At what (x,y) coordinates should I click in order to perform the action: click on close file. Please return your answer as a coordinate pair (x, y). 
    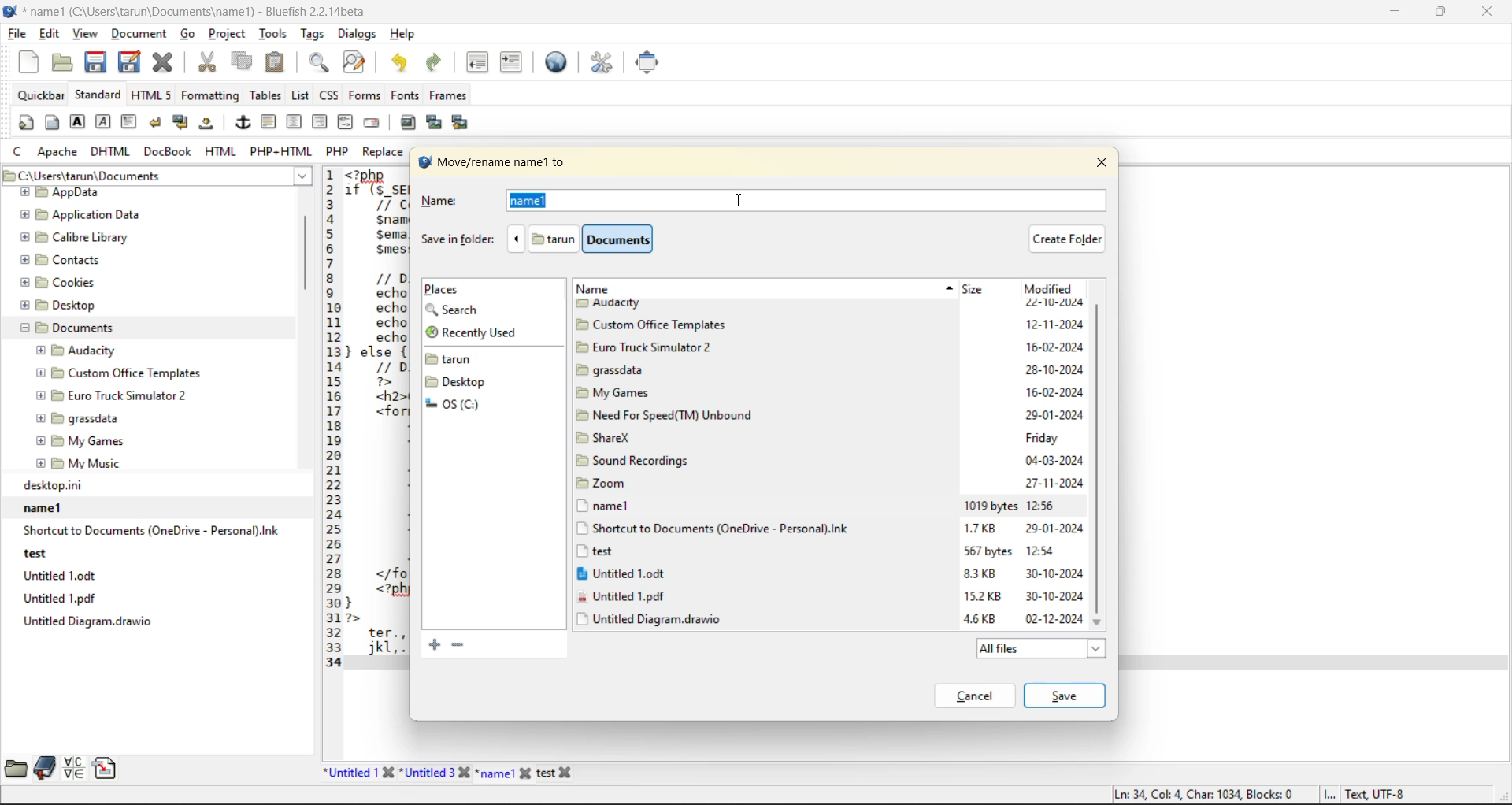
    Looking at the image, I should click on (163, 62).